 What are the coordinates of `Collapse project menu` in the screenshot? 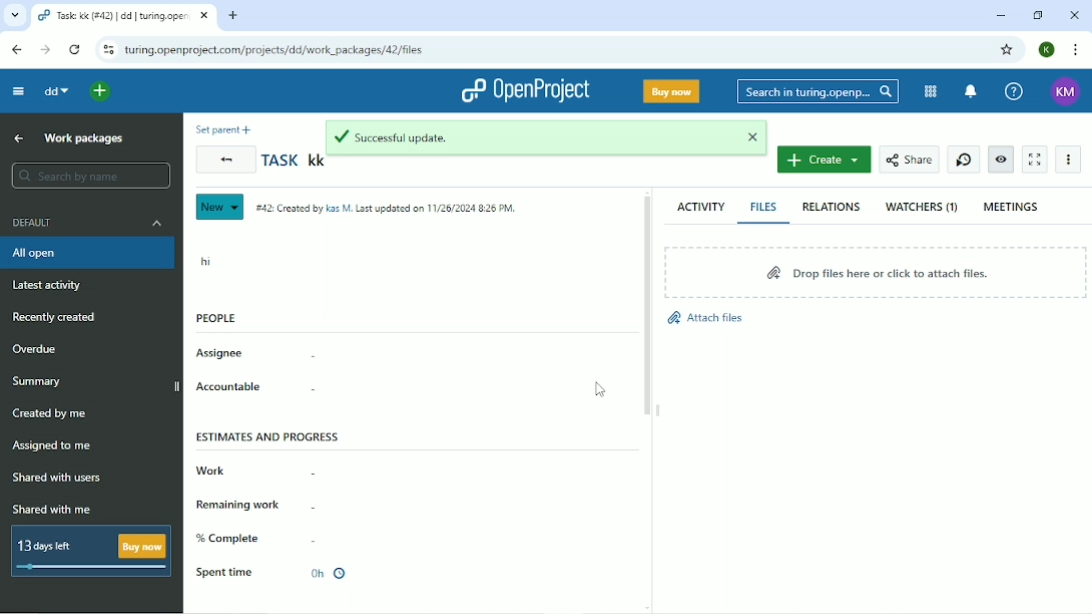 It's located at (19, 91).